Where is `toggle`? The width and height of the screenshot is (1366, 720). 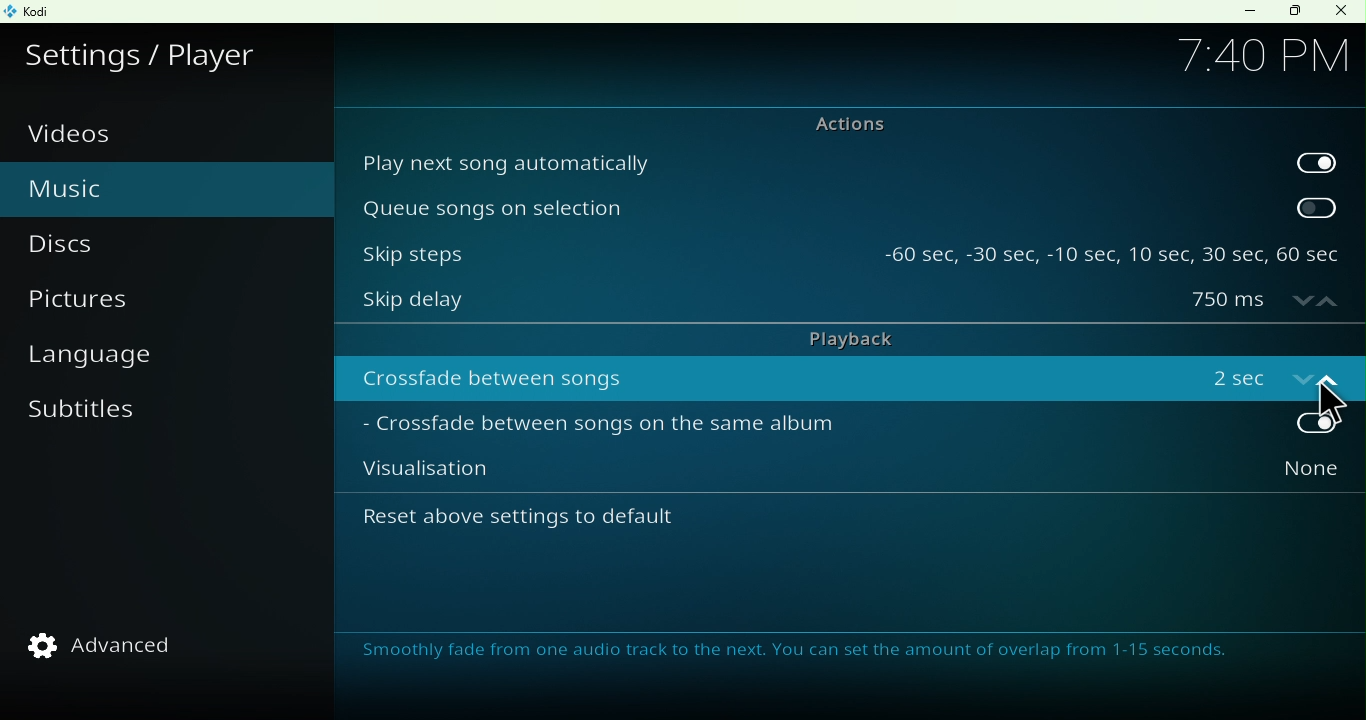 toggle is located at coordinates (1316, 160).